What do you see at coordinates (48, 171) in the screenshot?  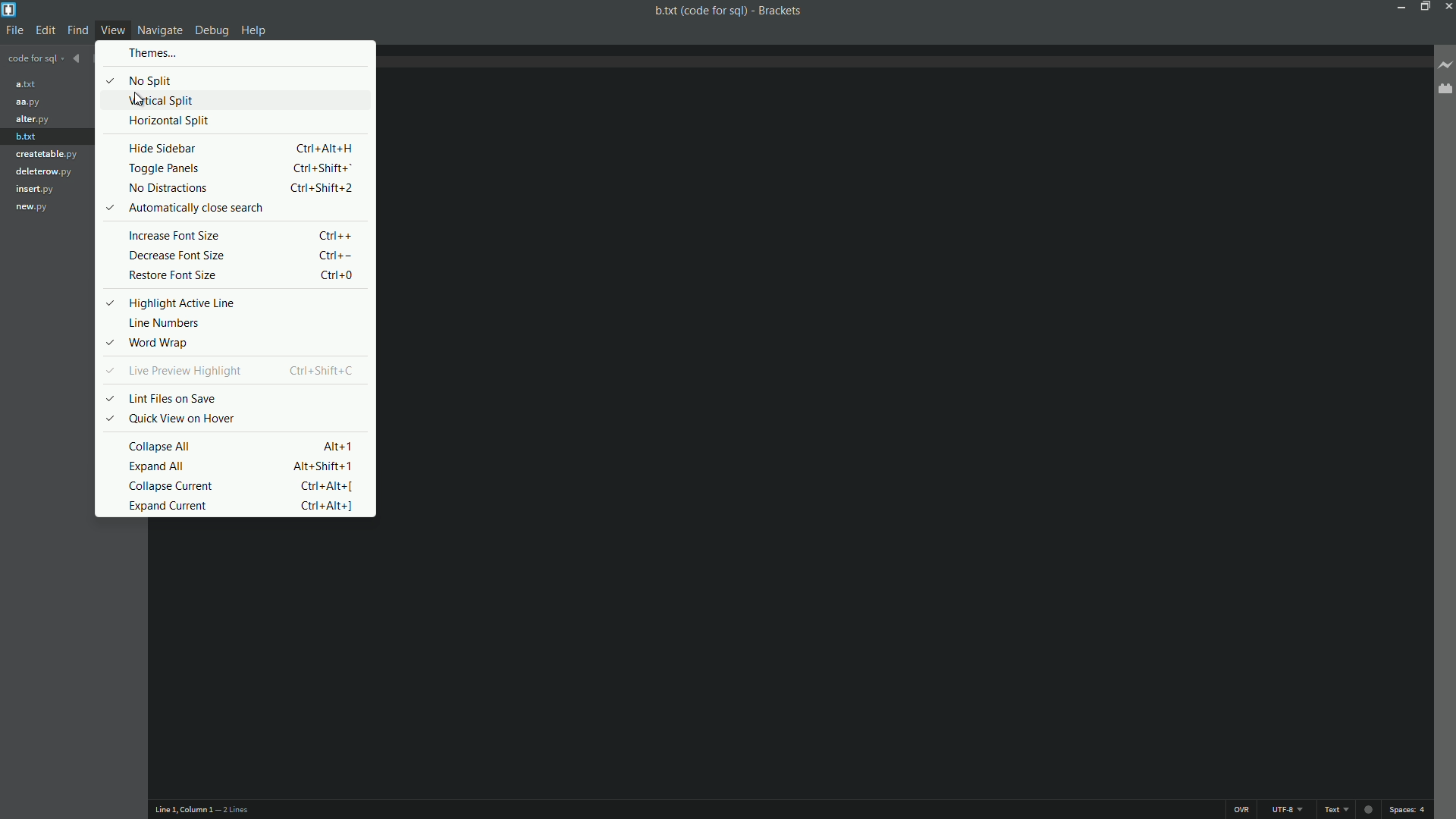 I see `deleterow.py` at bounding box center [48, 171].